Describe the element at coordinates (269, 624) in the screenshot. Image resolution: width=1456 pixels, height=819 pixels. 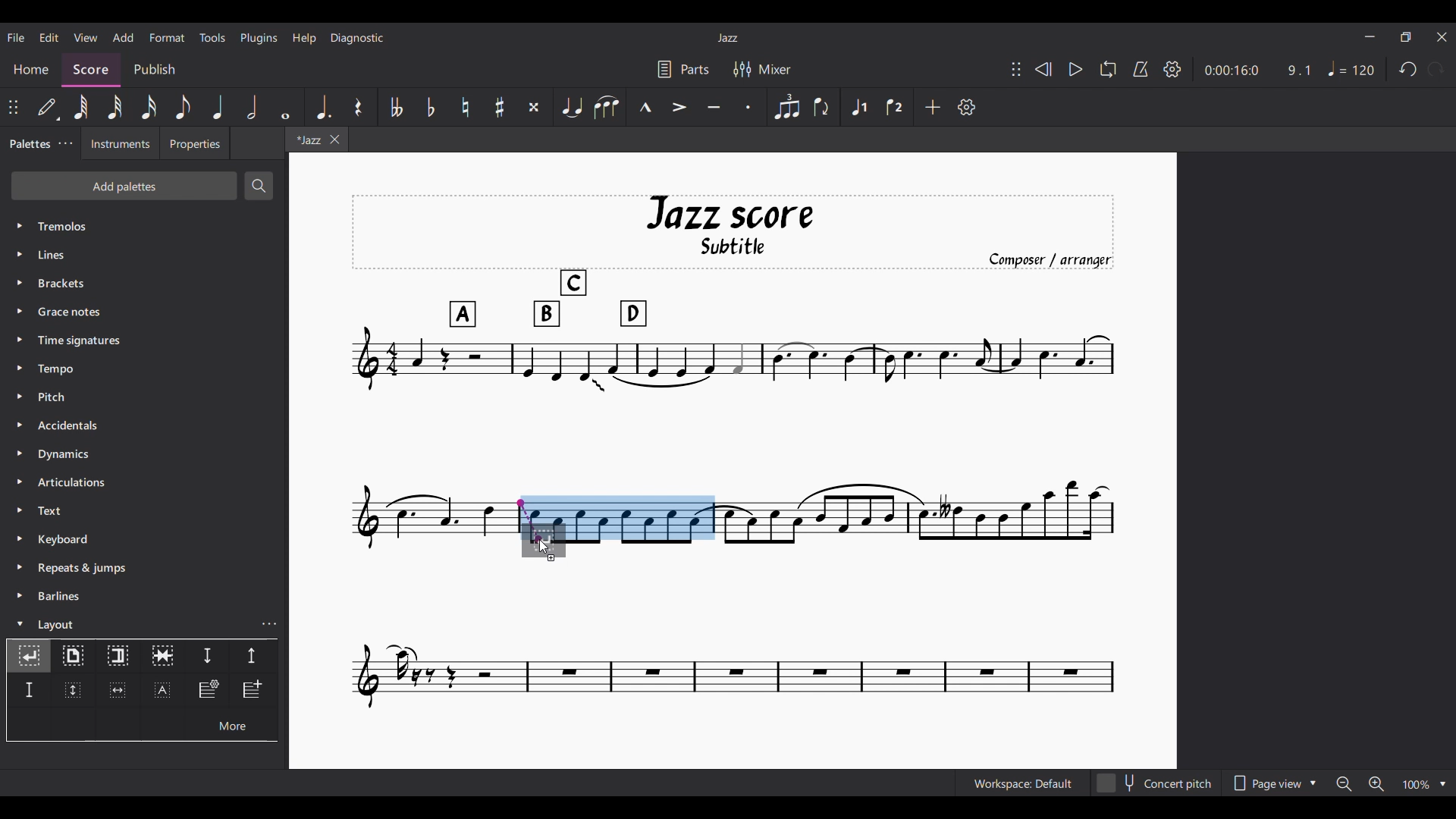
I see `Layout settings` at that location.